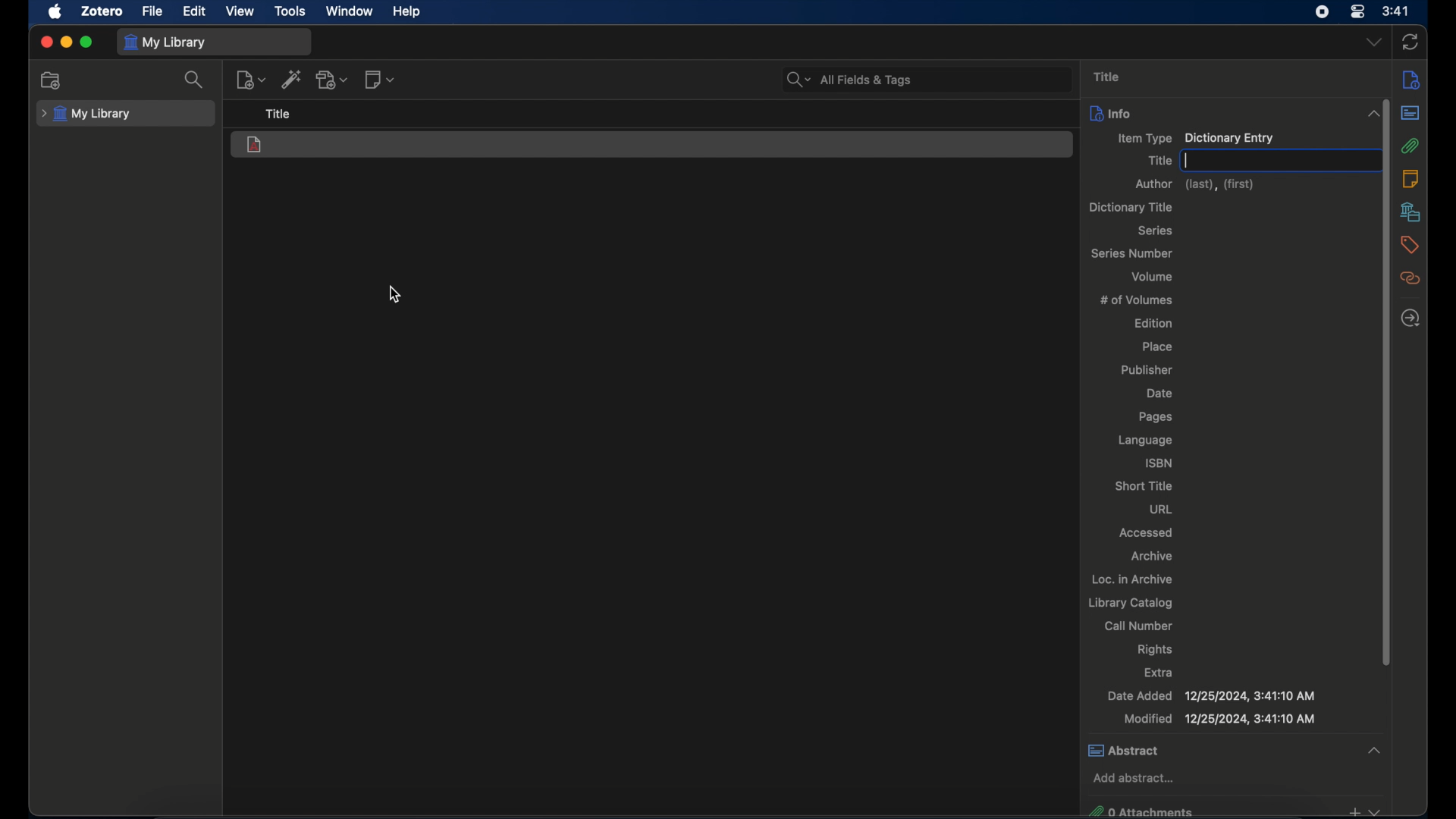 The height and width of the screenshot is (819, 1456). What do you see at coordinates (290, 79) in the screenshot?
I see `add item by identifier` at bounding box center [290, 79].